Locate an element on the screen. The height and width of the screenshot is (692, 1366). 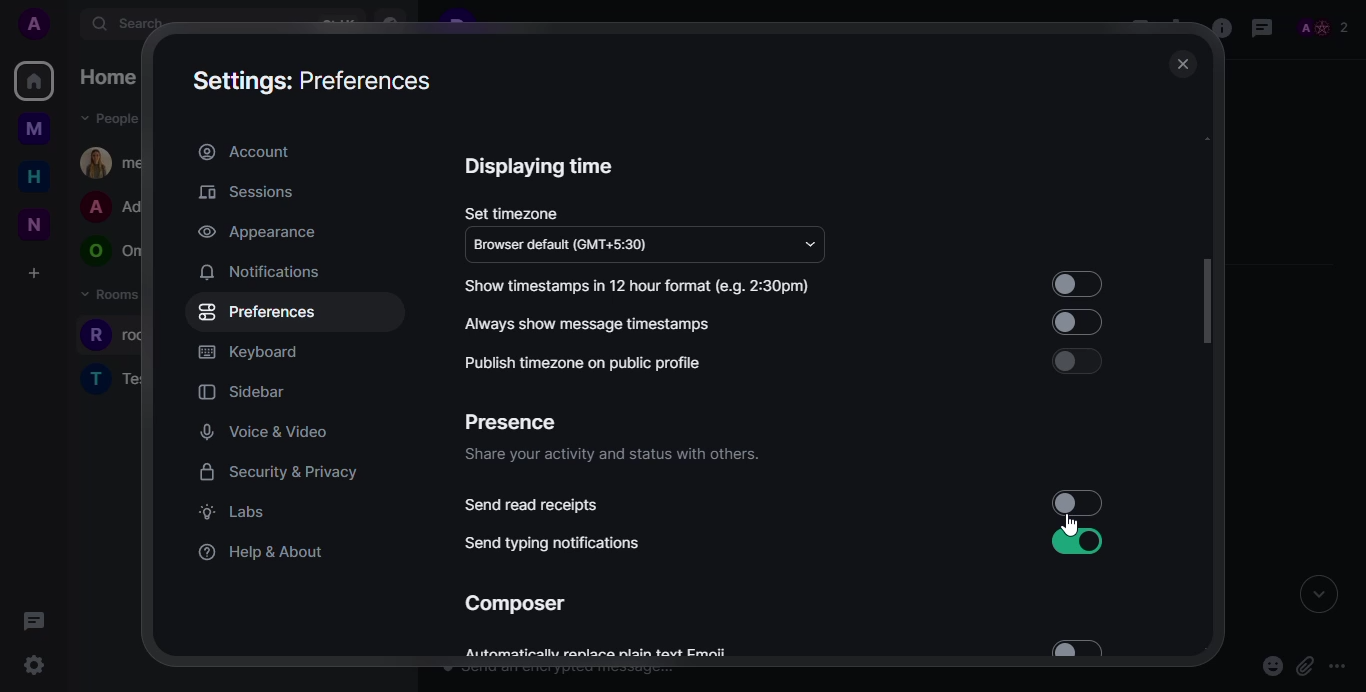
Automatically replace plain text email is located at coordinates (629, 658).